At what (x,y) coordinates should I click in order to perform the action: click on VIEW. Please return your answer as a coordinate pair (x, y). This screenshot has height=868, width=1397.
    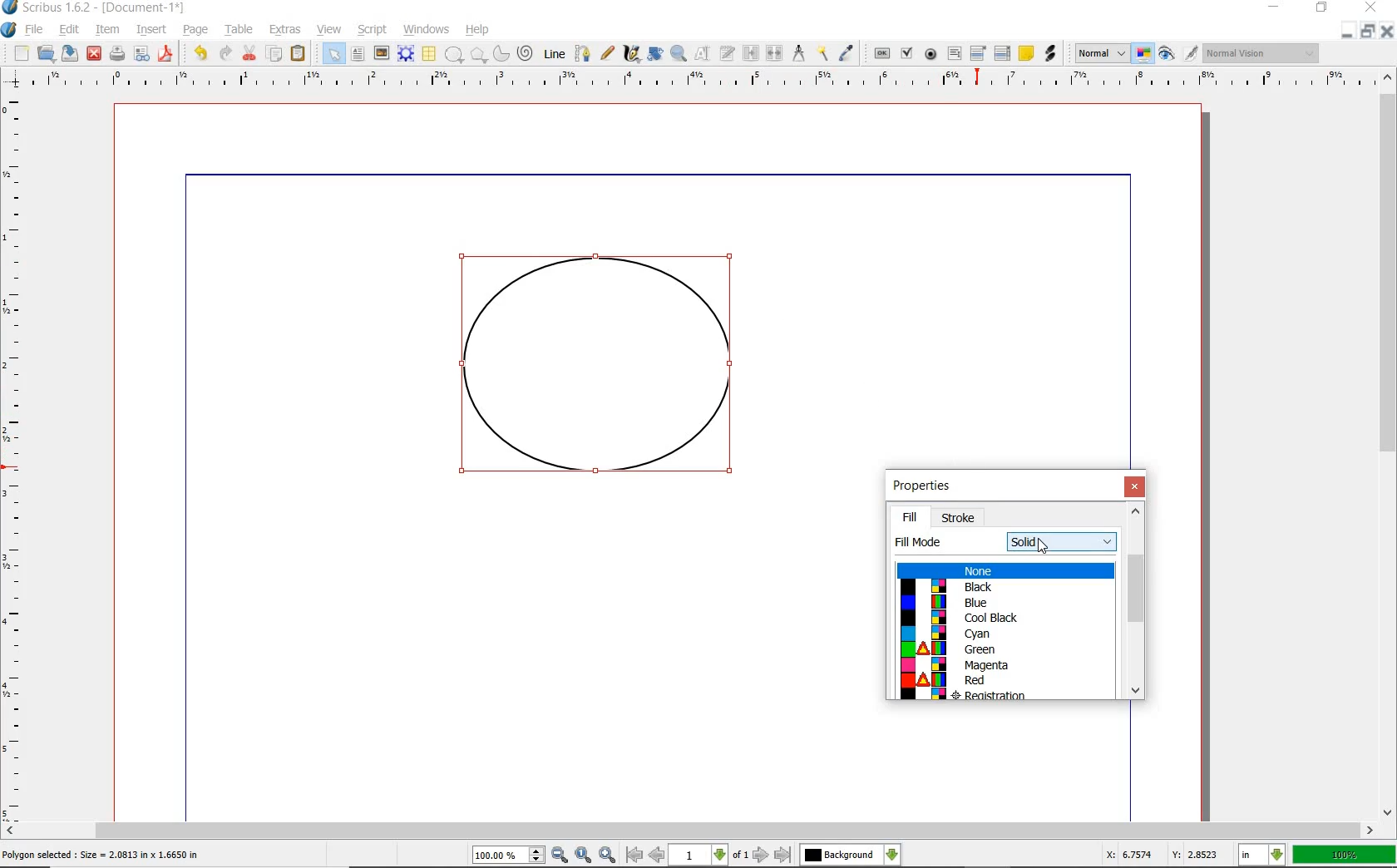
    Looking at the image, I should click on (329, 28).